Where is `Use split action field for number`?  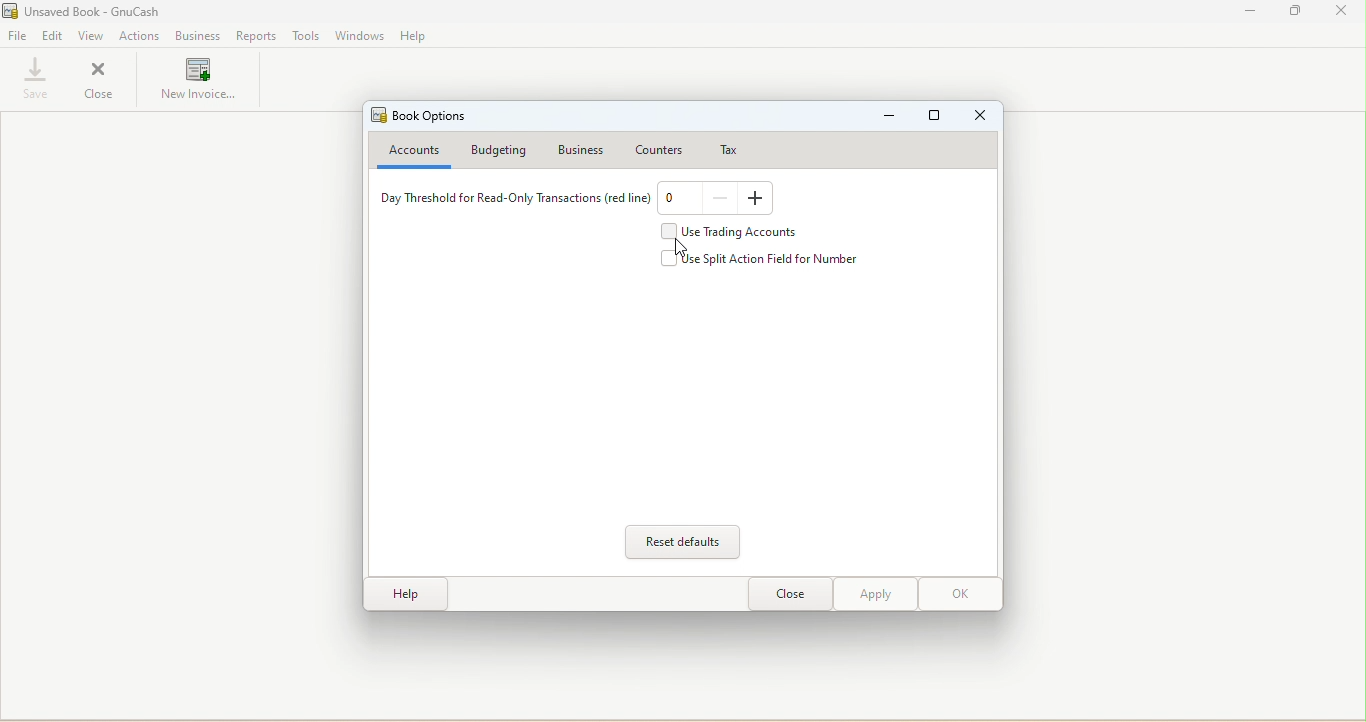
Use split action field for number is located at coordinates (767, 259).